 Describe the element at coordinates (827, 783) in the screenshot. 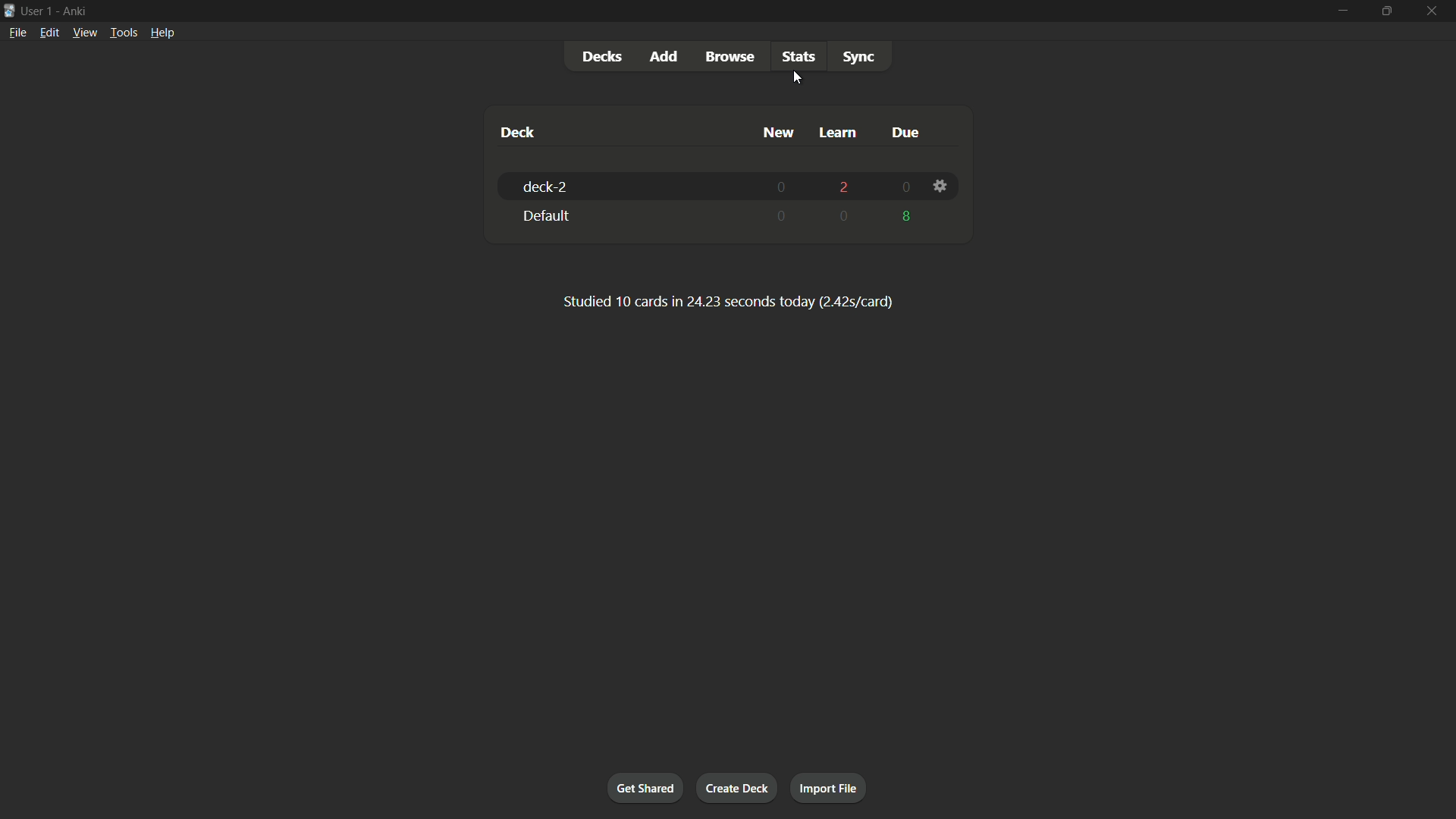

I see `Import file` at that location.